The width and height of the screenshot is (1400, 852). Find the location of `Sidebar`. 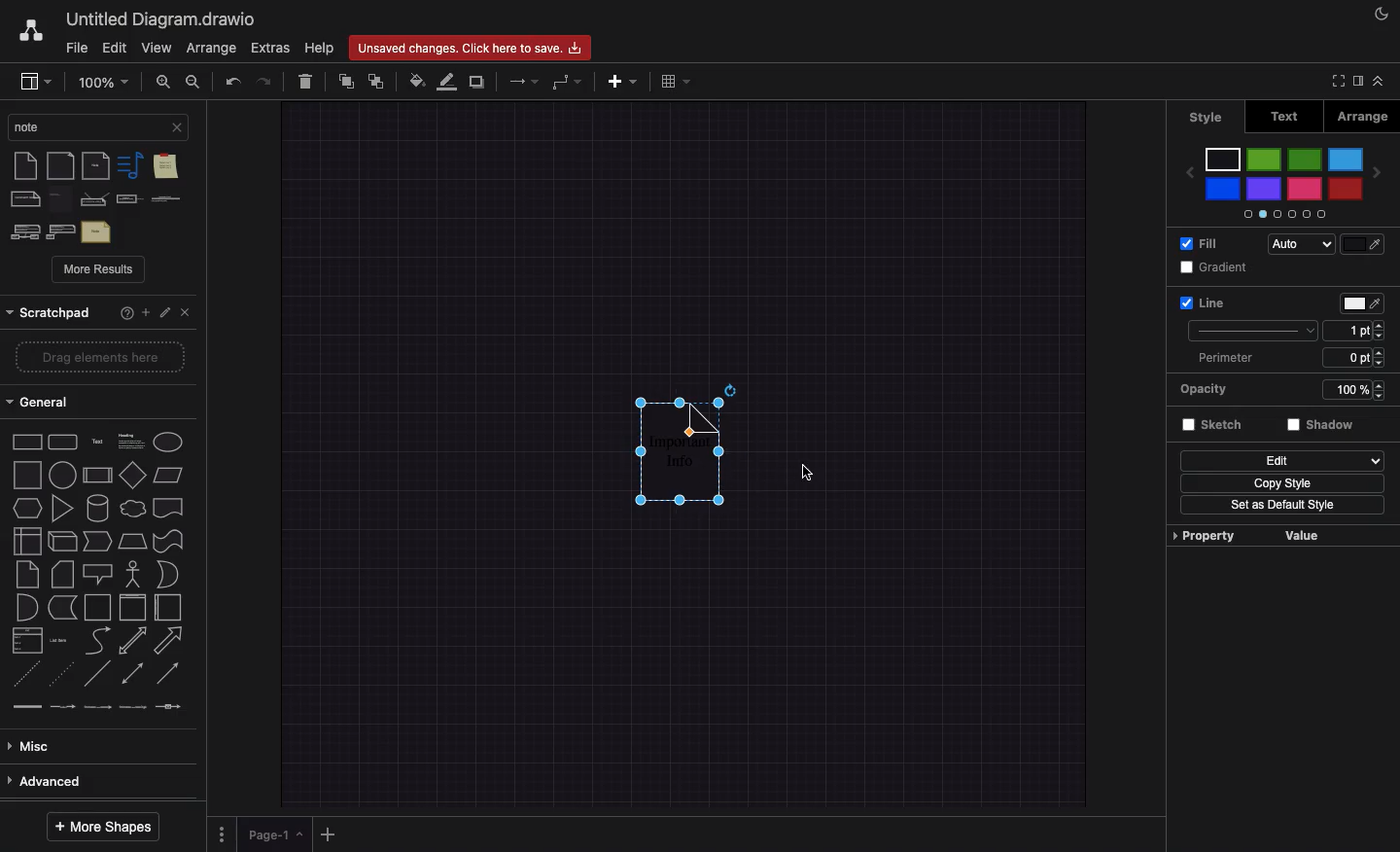

Sidebar is located at coordinates (1361, 83).